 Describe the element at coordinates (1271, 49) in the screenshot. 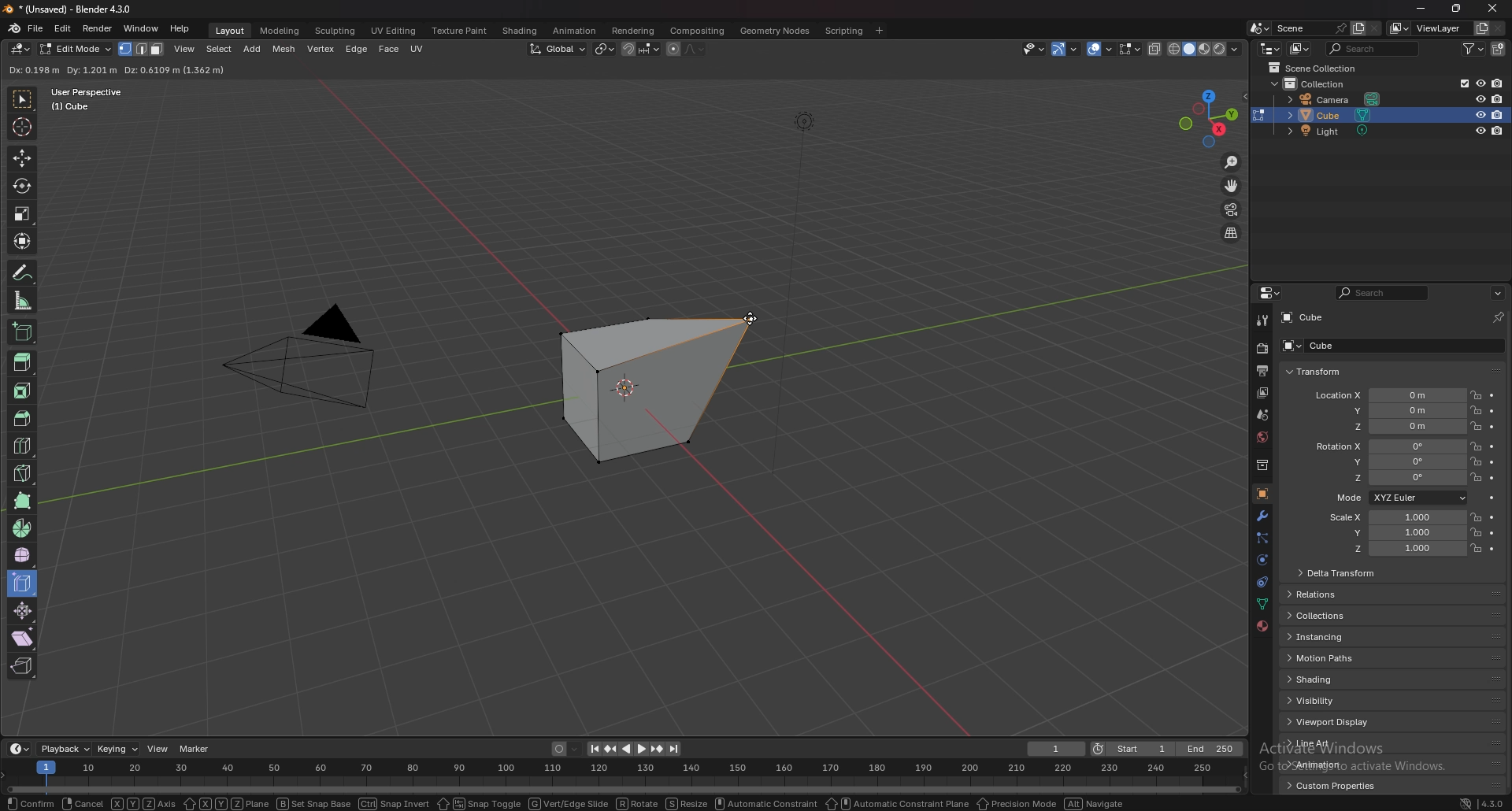

I see `editor type` at that location.